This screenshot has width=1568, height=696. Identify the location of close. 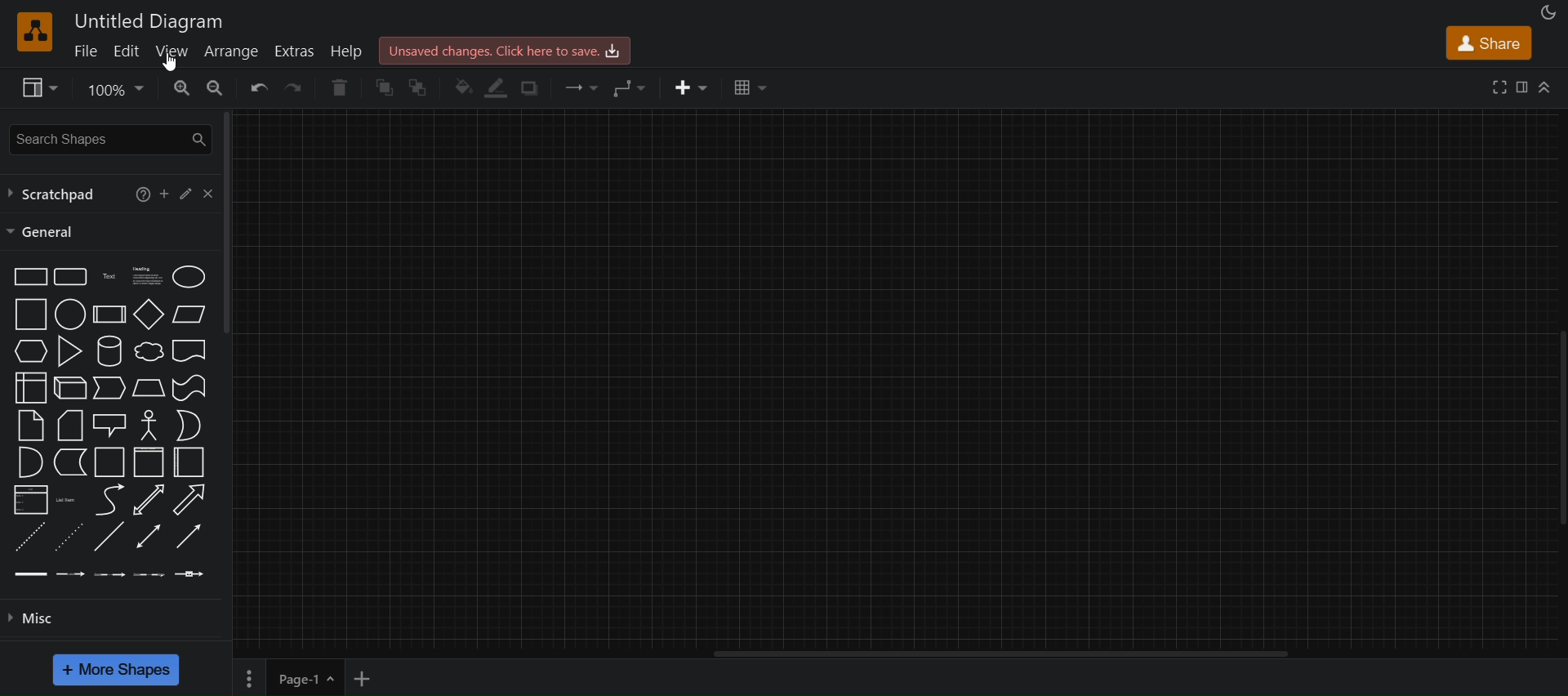
(212, 194).